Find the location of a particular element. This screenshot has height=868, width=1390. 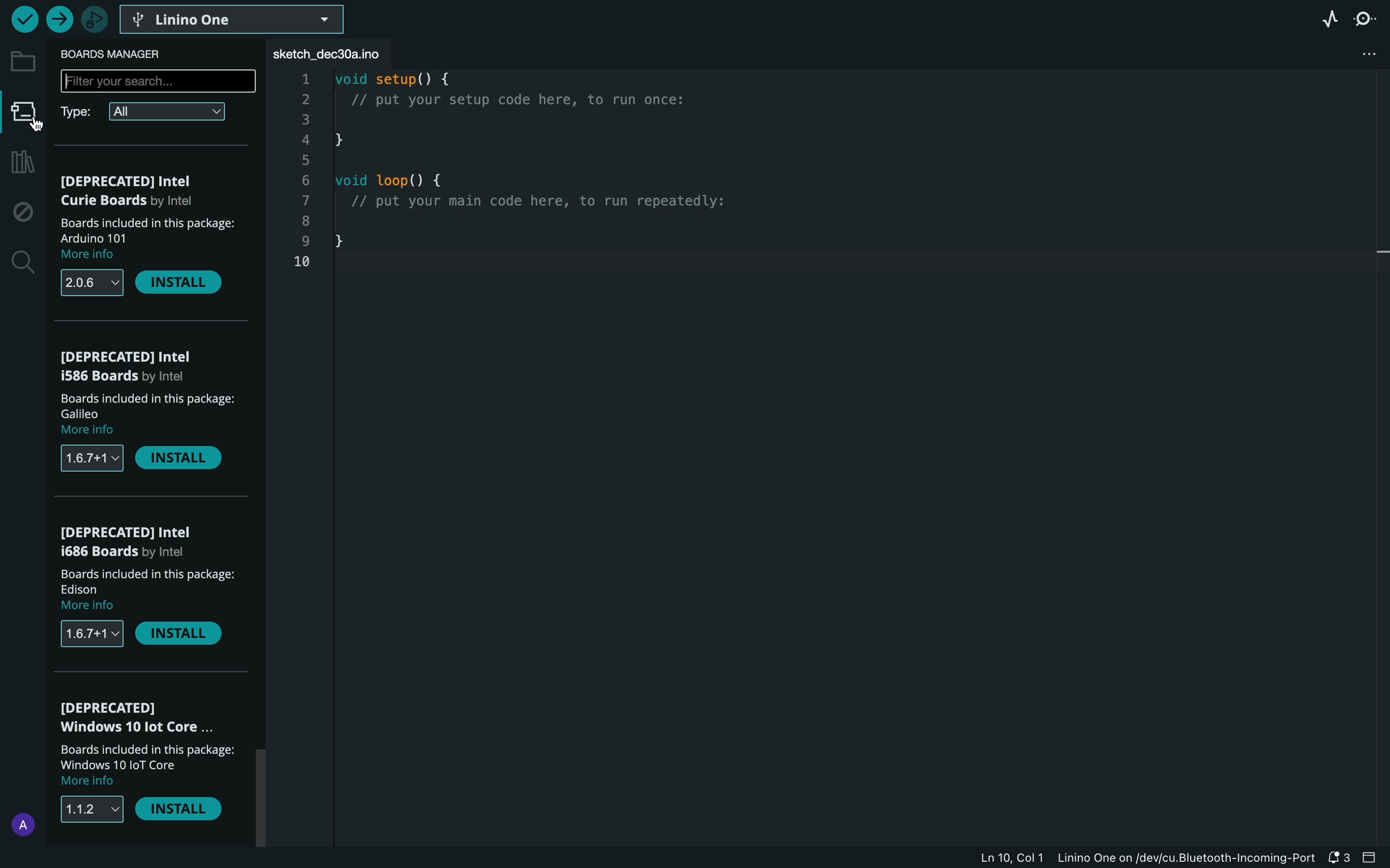

board selecter is located at coordinates (235, 20).